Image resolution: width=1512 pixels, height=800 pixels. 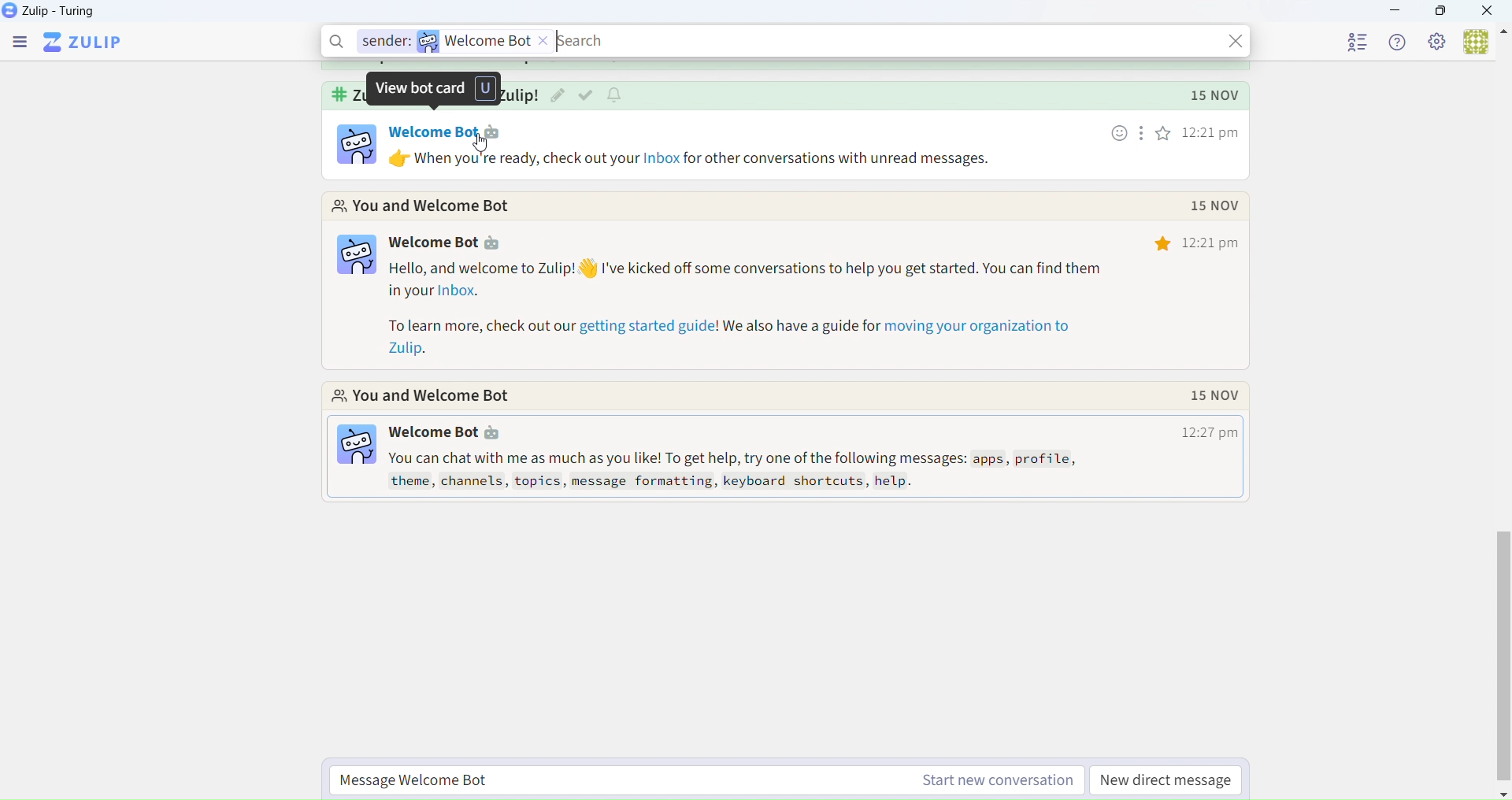 I want to click on Help, so click(x=1402, y=43).